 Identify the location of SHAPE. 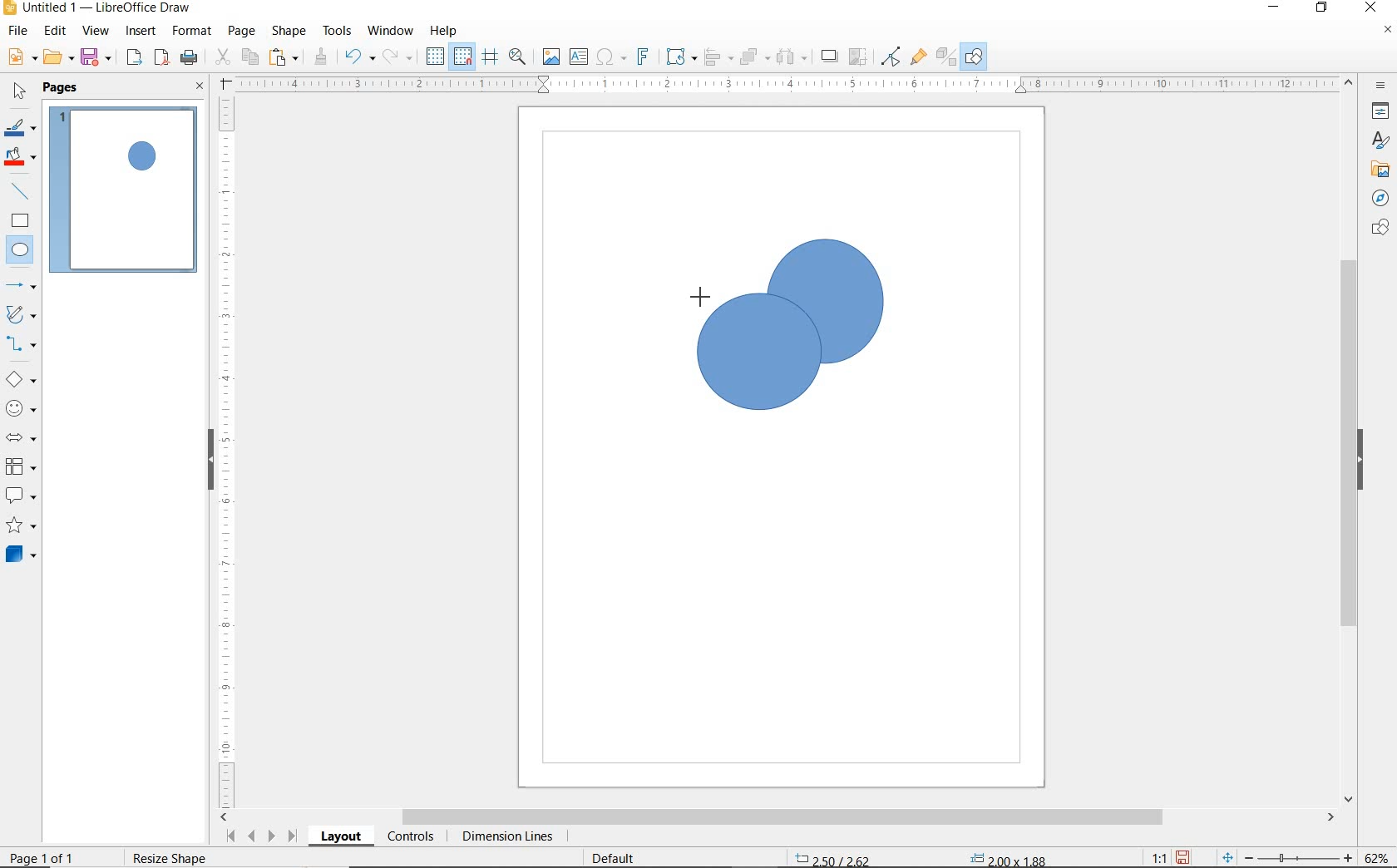
(290, 33).